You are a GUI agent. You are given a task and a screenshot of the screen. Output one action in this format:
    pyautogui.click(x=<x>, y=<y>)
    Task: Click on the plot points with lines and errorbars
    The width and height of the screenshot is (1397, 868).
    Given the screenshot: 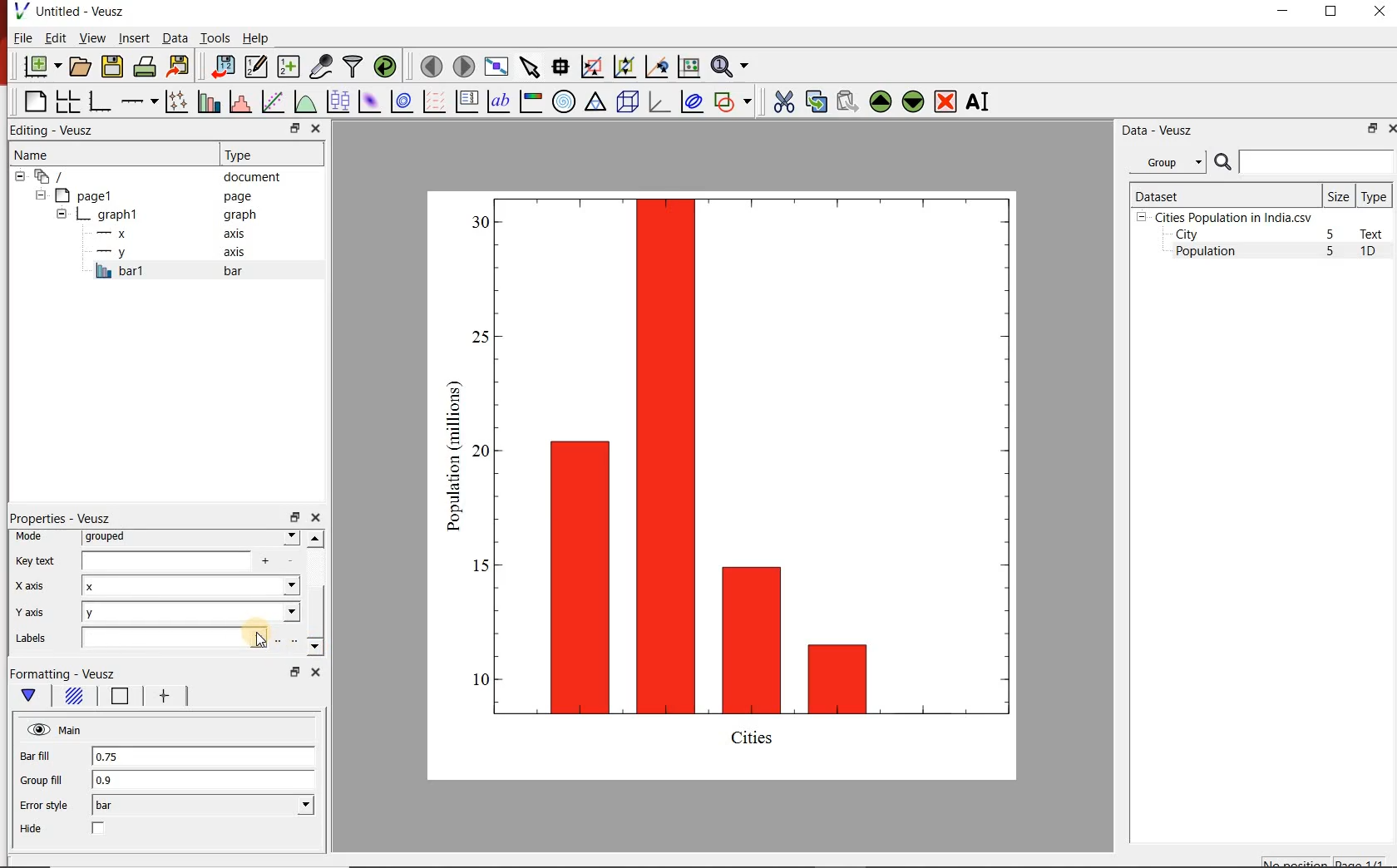 What is the action you would take?
    pyautogui.click(x=174, y=101)
    